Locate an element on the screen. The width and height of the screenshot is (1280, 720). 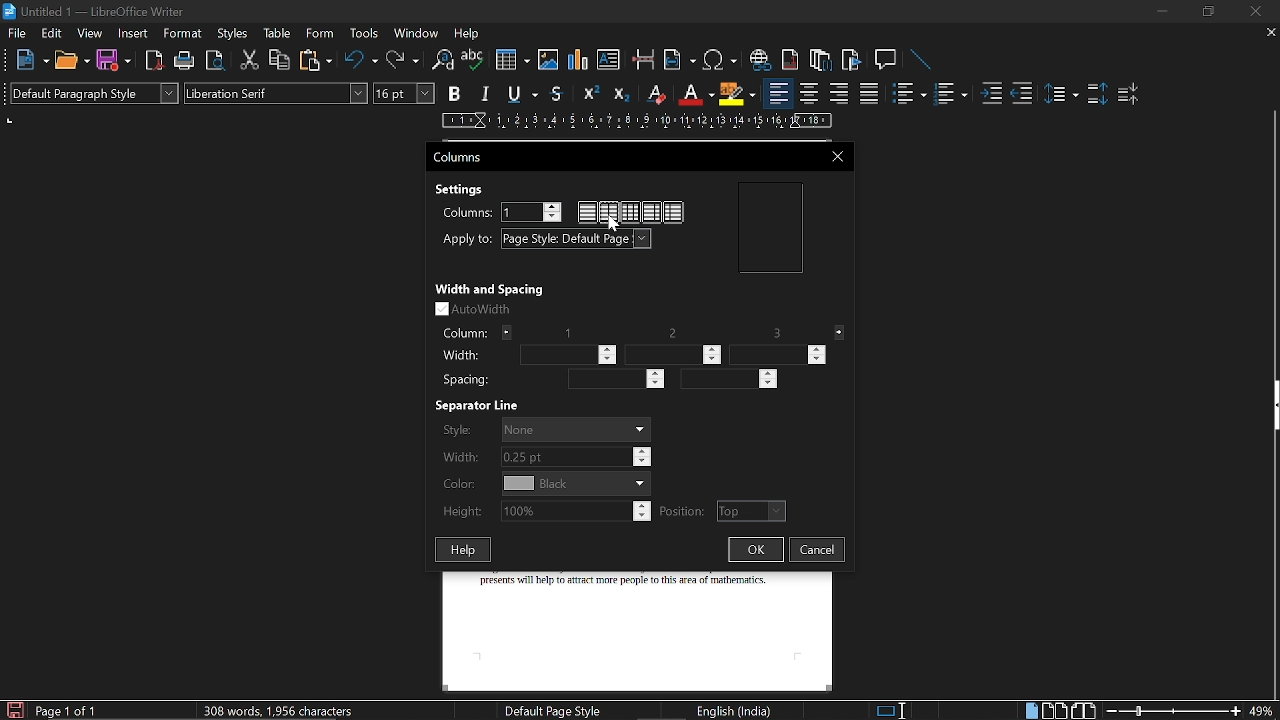
Insert endnote is located at coordinates (790, 59).